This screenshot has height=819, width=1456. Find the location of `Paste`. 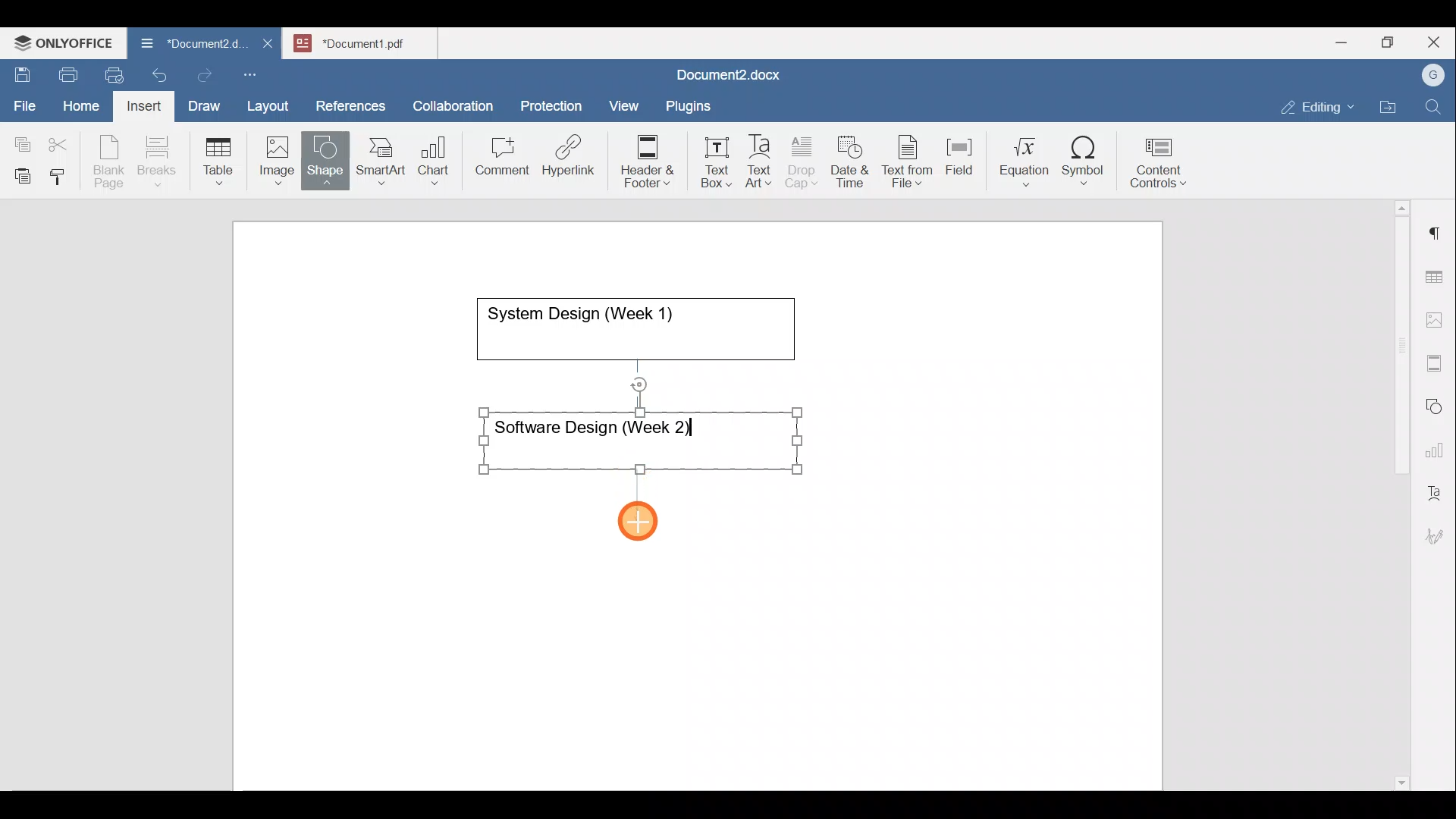

Paste is located at coordinates (19, 172).